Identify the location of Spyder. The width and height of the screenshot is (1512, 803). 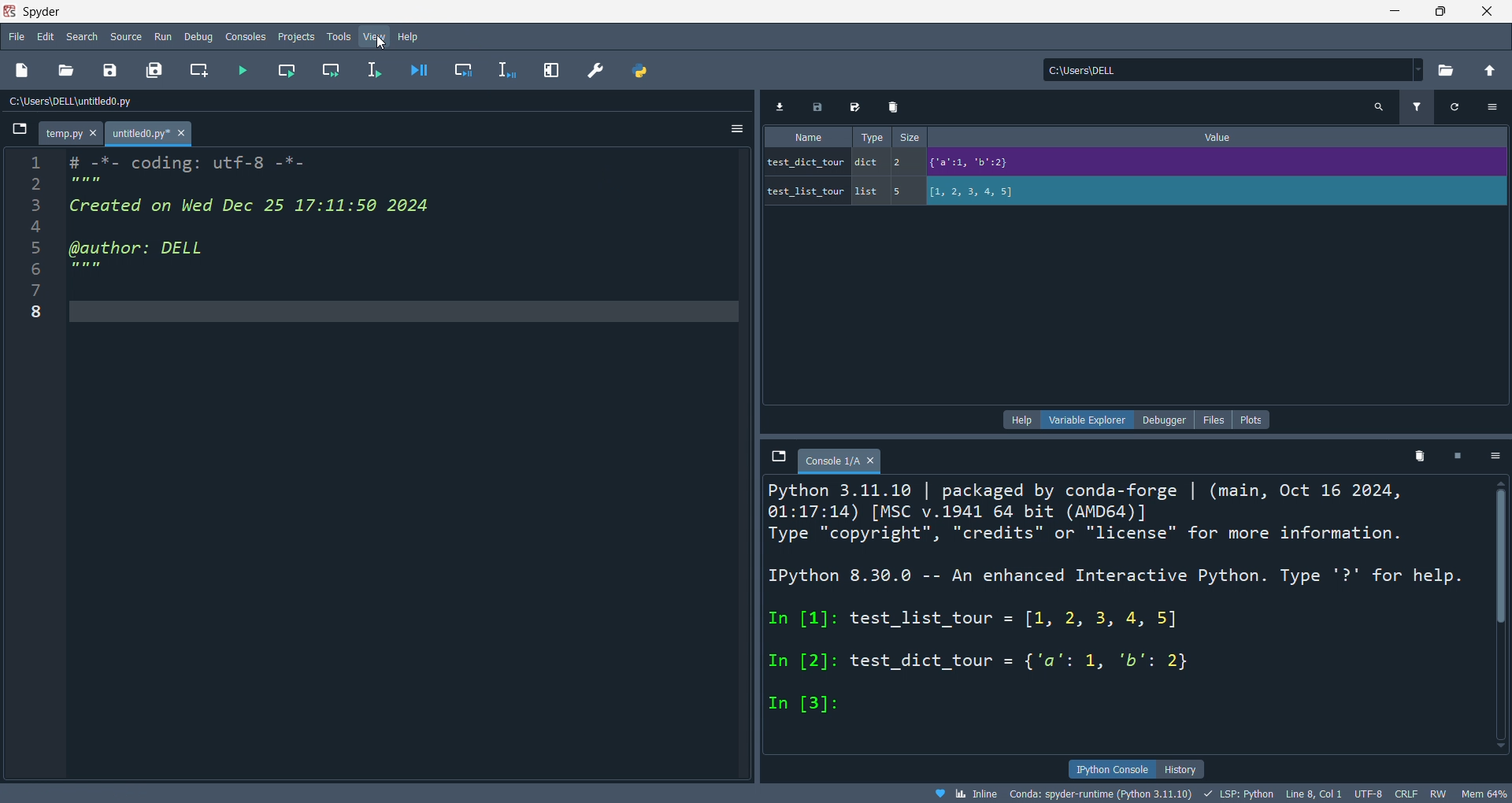
(682, 12).